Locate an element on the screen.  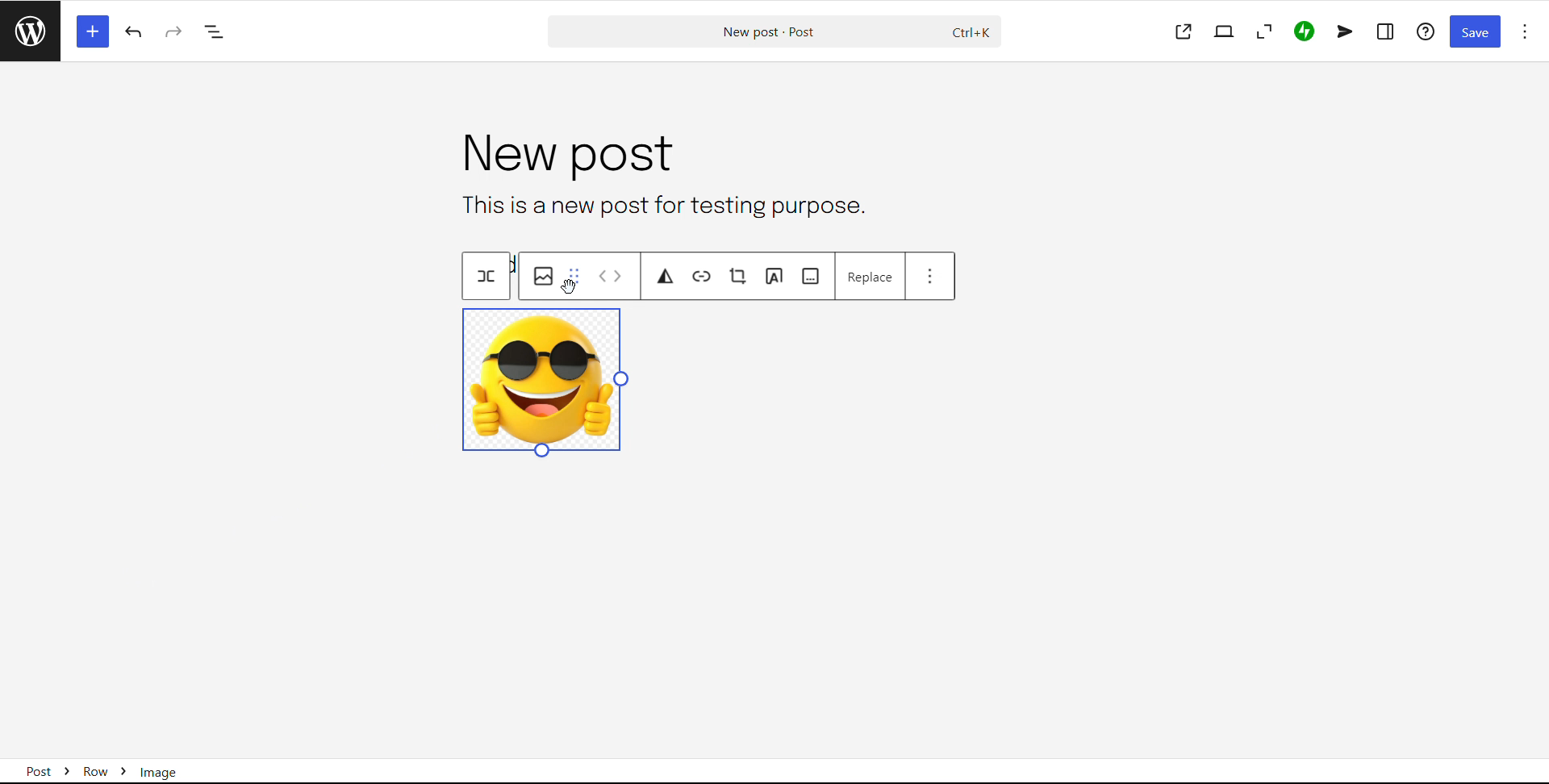
view post is located at coordinates (1184, 32).